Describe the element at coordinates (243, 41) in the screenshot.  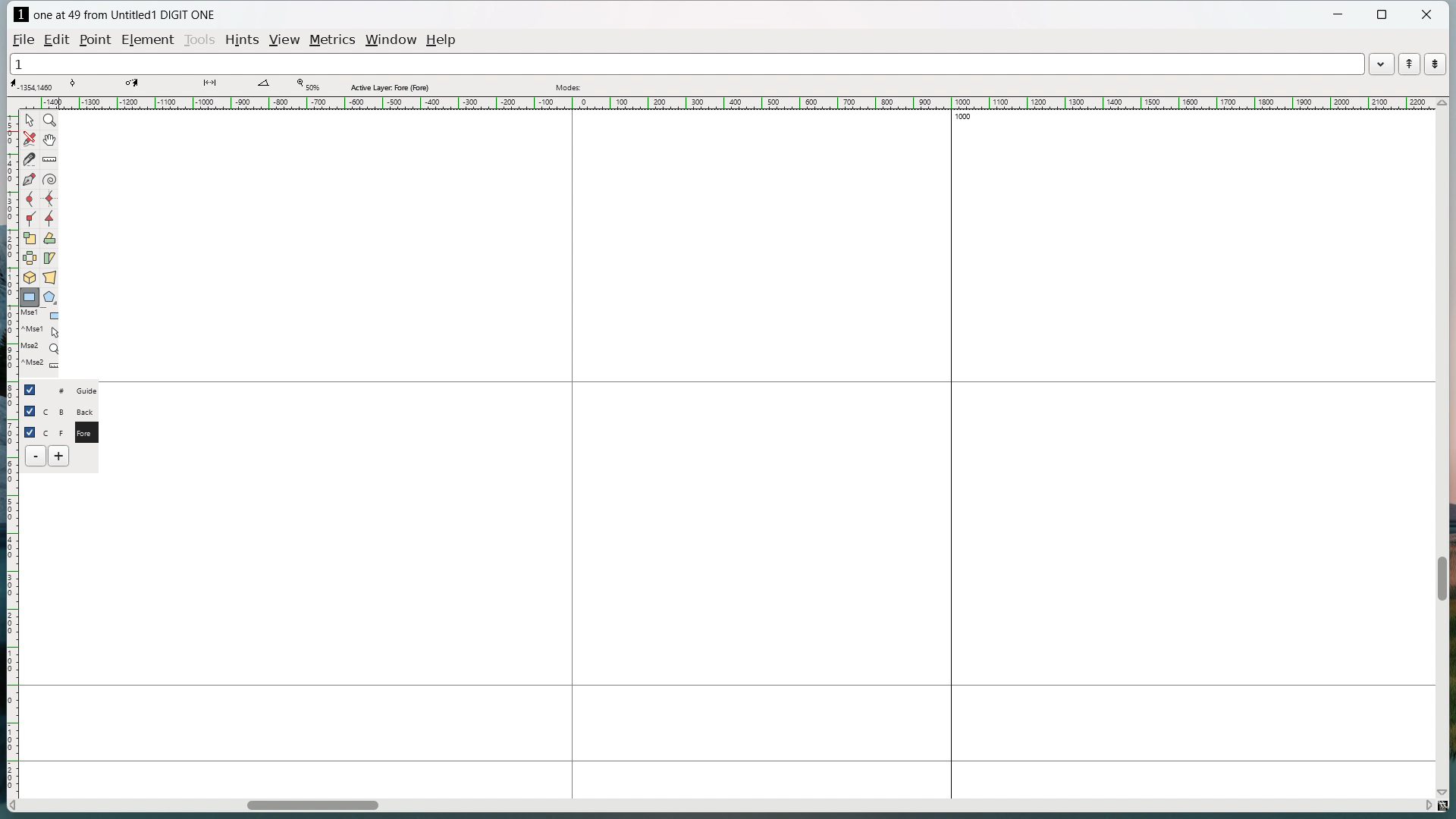
I see `hints` at that location.